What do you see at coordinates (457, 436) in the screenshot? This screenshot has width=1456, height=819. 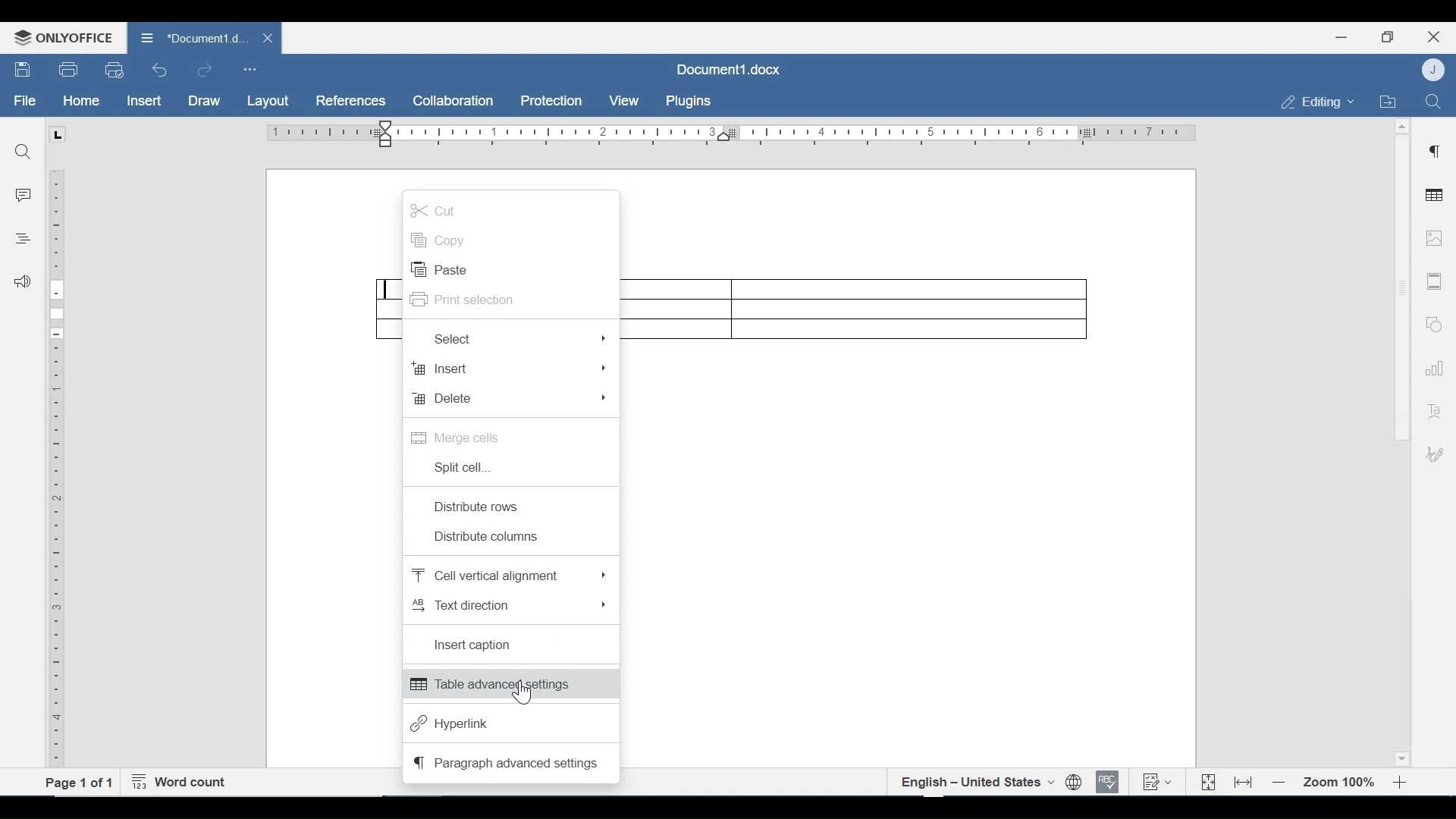 I see `Merge Cells` at bounding box center [457, 436].